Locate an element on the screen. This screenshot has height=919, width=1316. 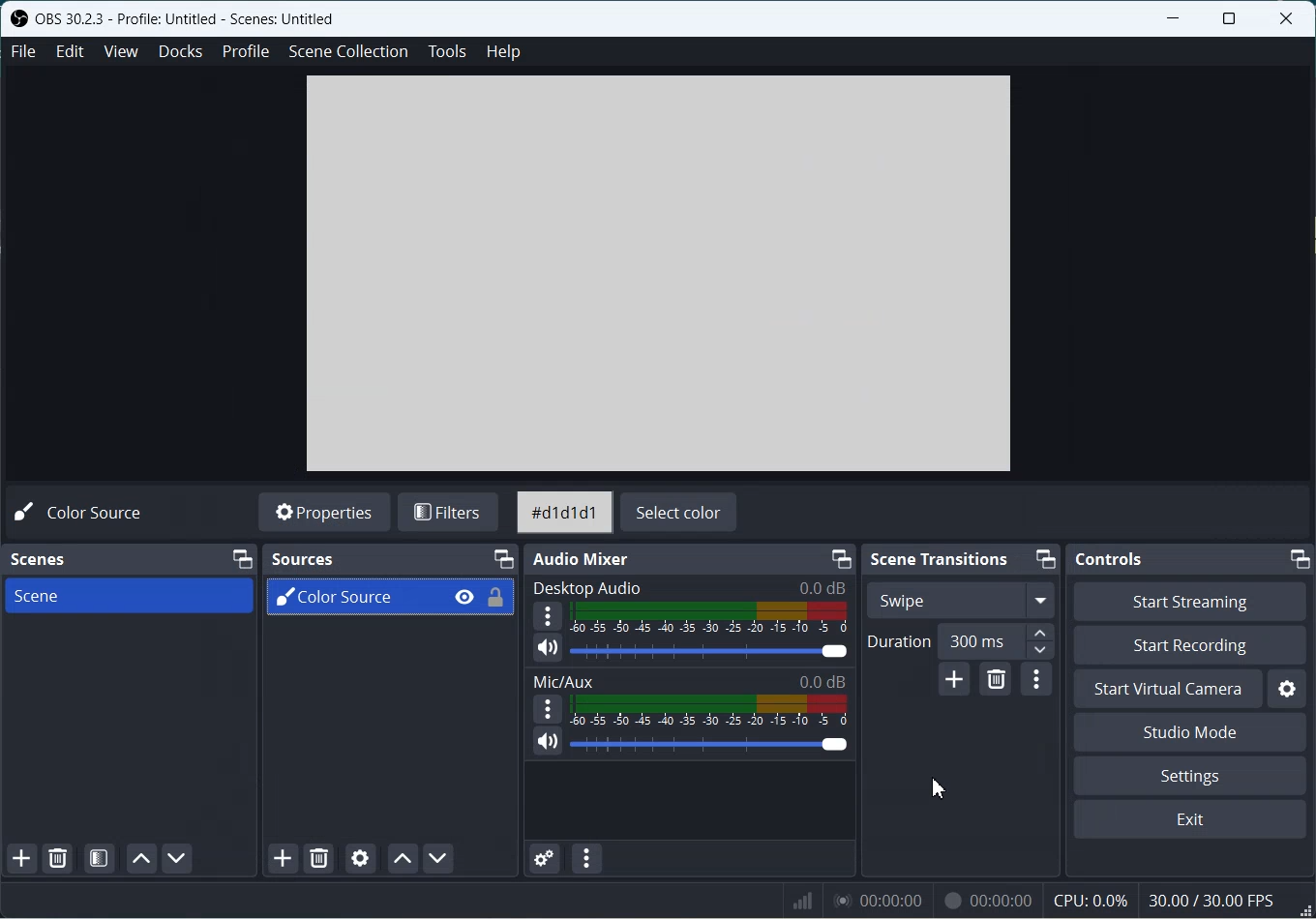
30.00 / 30.00 FPS is located at coordinates (1213, 900).